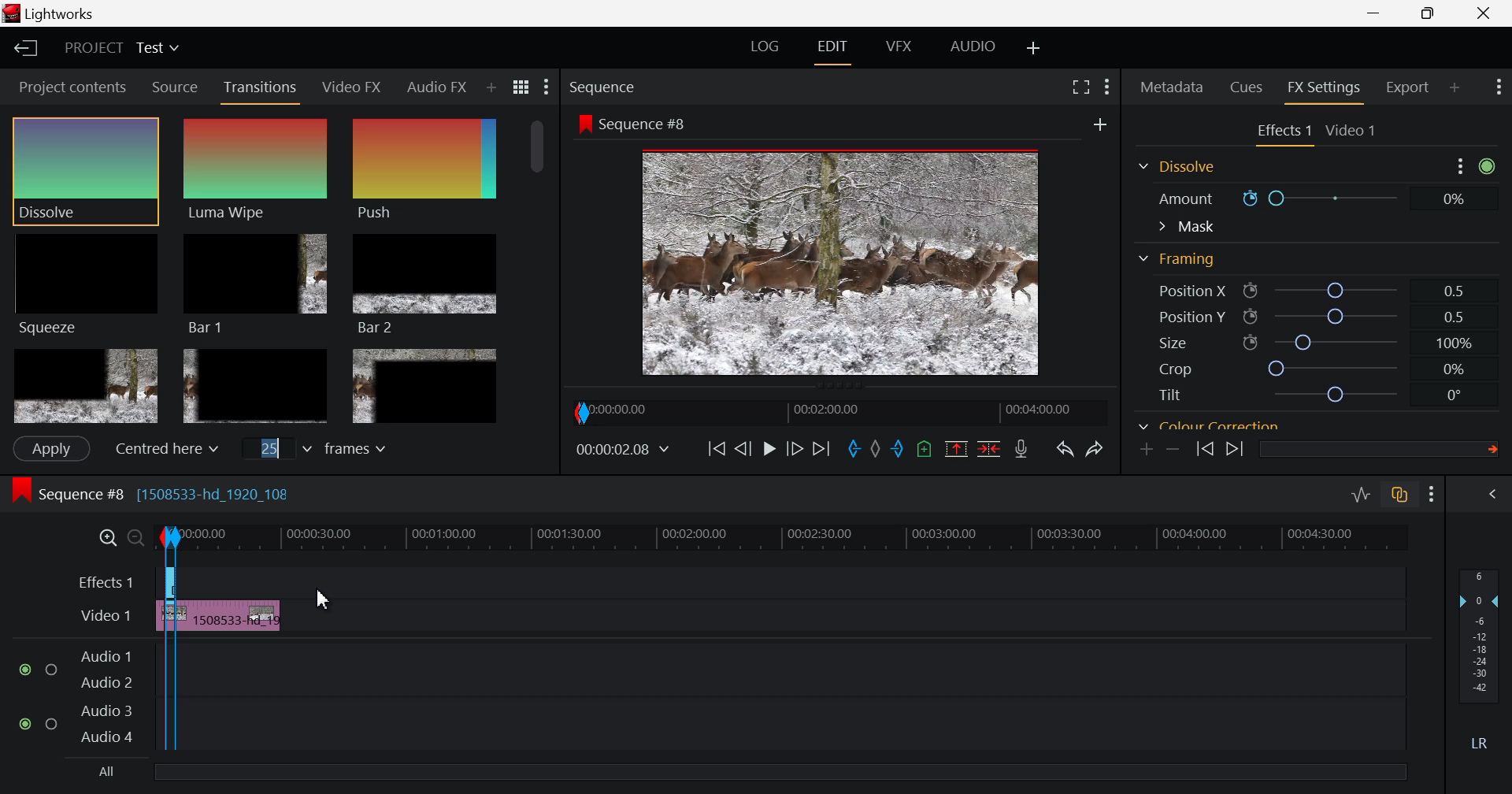 This screenshot has height=794, width=1512. I want to click on Show Settings, so click(1497, 87).